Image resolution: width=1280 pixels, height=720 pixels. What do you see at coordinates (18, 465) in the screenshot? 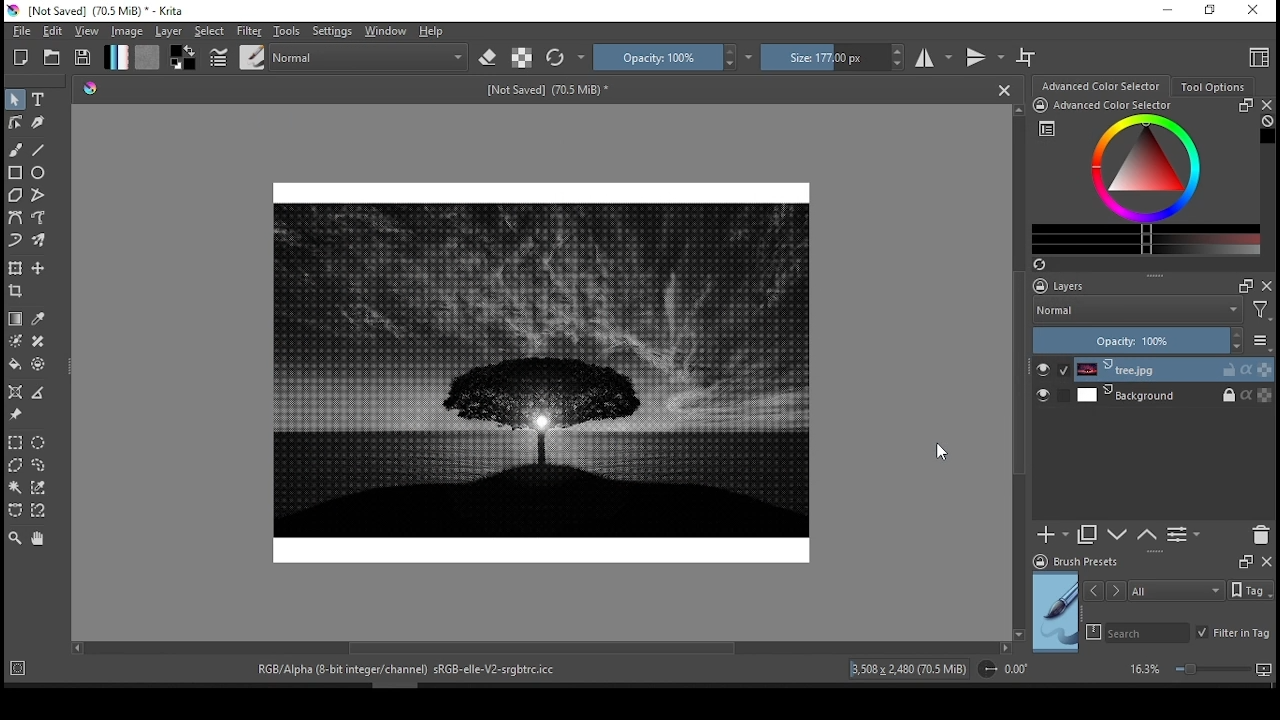
I see `polygon selection tool` at bounding box center [18, 465].